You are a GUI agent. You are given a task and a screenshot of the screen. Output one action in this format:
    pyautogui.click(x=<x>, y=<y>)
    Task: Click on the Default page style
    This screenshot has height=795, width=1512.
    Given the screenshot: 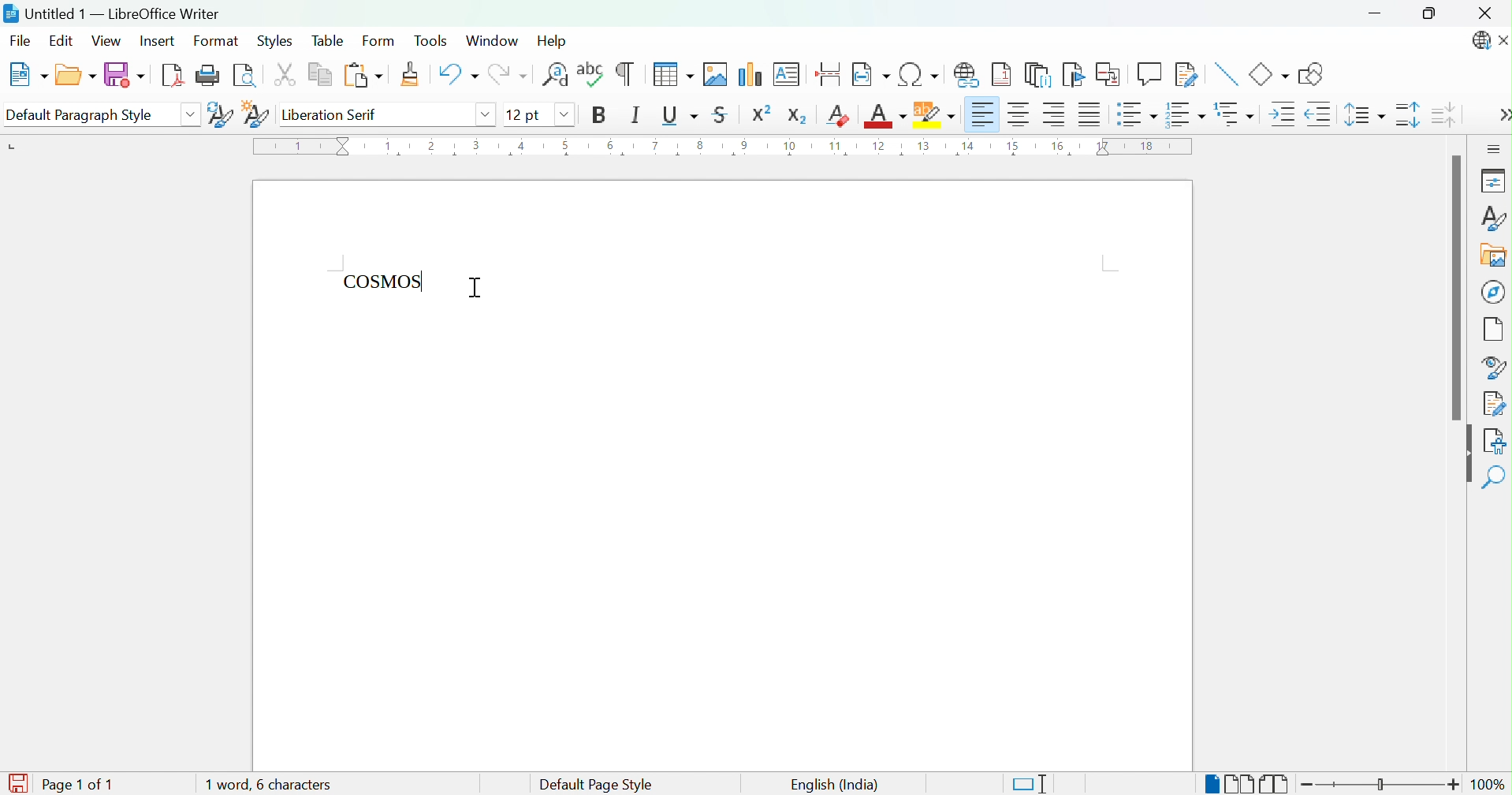 What is the action you would take?
    pyautogui.click(x=594, y=785)
    